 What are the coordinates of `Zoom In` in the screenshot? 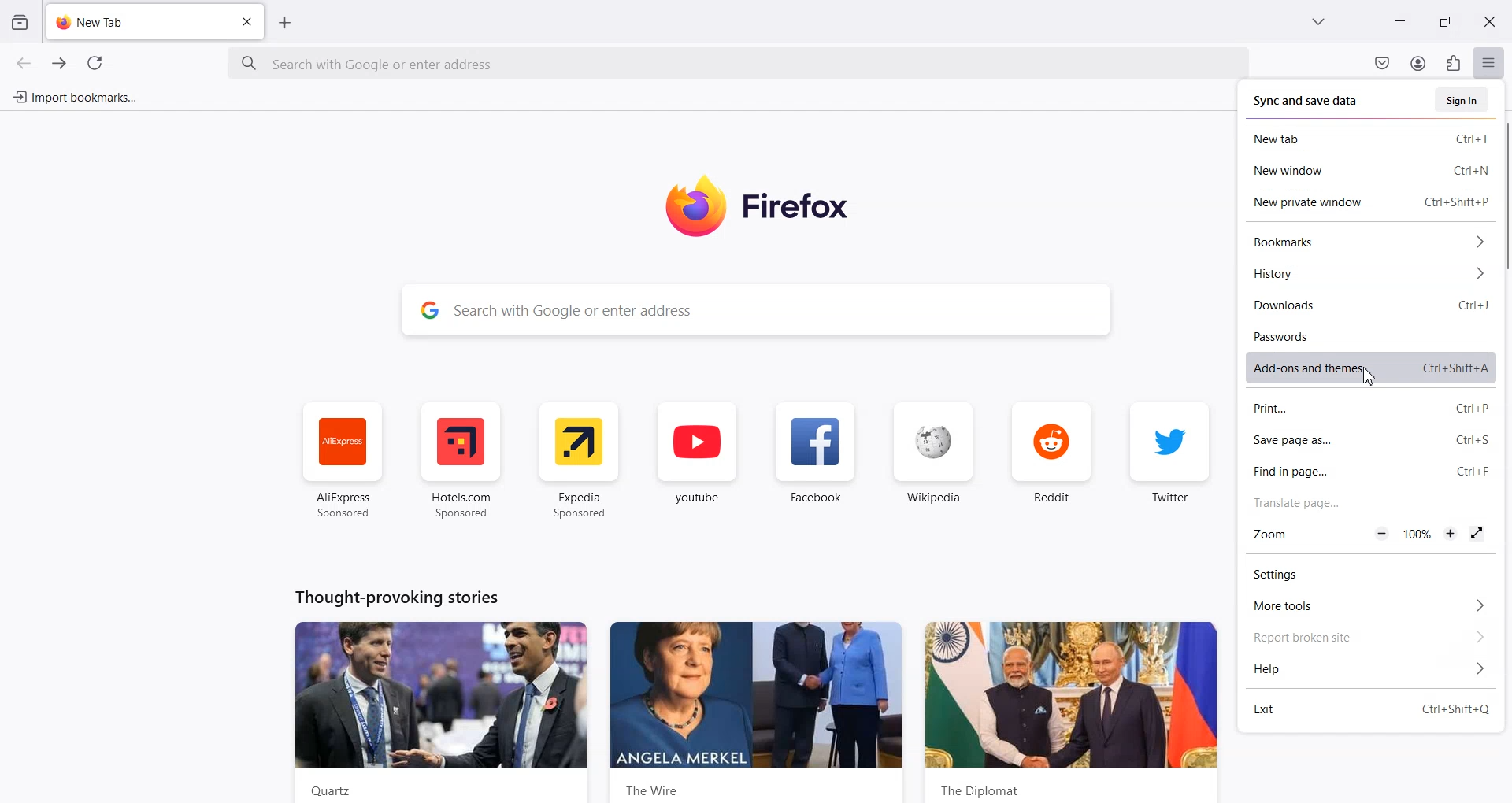 It's located at (1449, 532).